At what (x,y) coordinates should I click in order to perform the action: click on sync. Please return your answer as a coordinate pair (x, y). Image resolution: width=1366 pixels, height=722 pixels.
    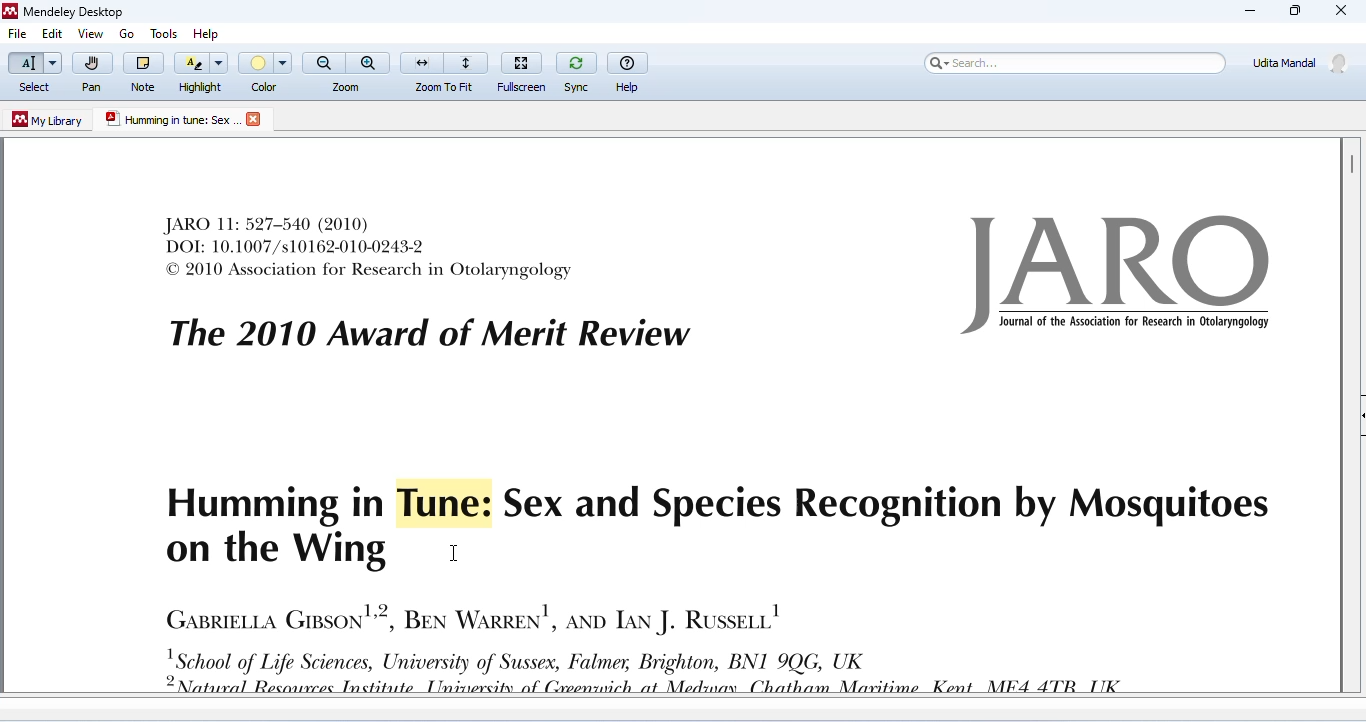
    Looking at the image, I should click on (576, 70).